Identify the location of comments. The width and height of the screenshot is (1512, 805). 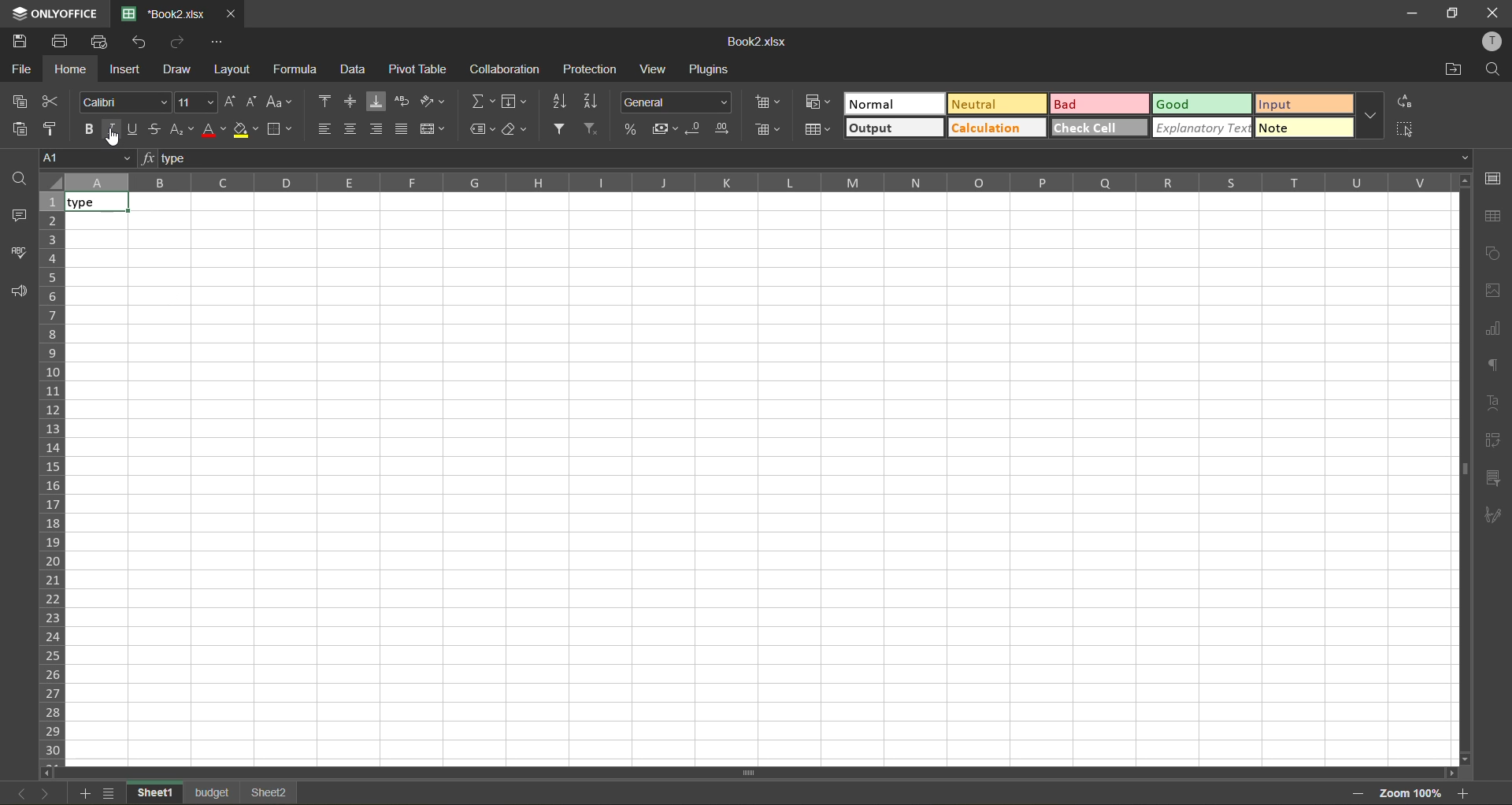
(18, 217).